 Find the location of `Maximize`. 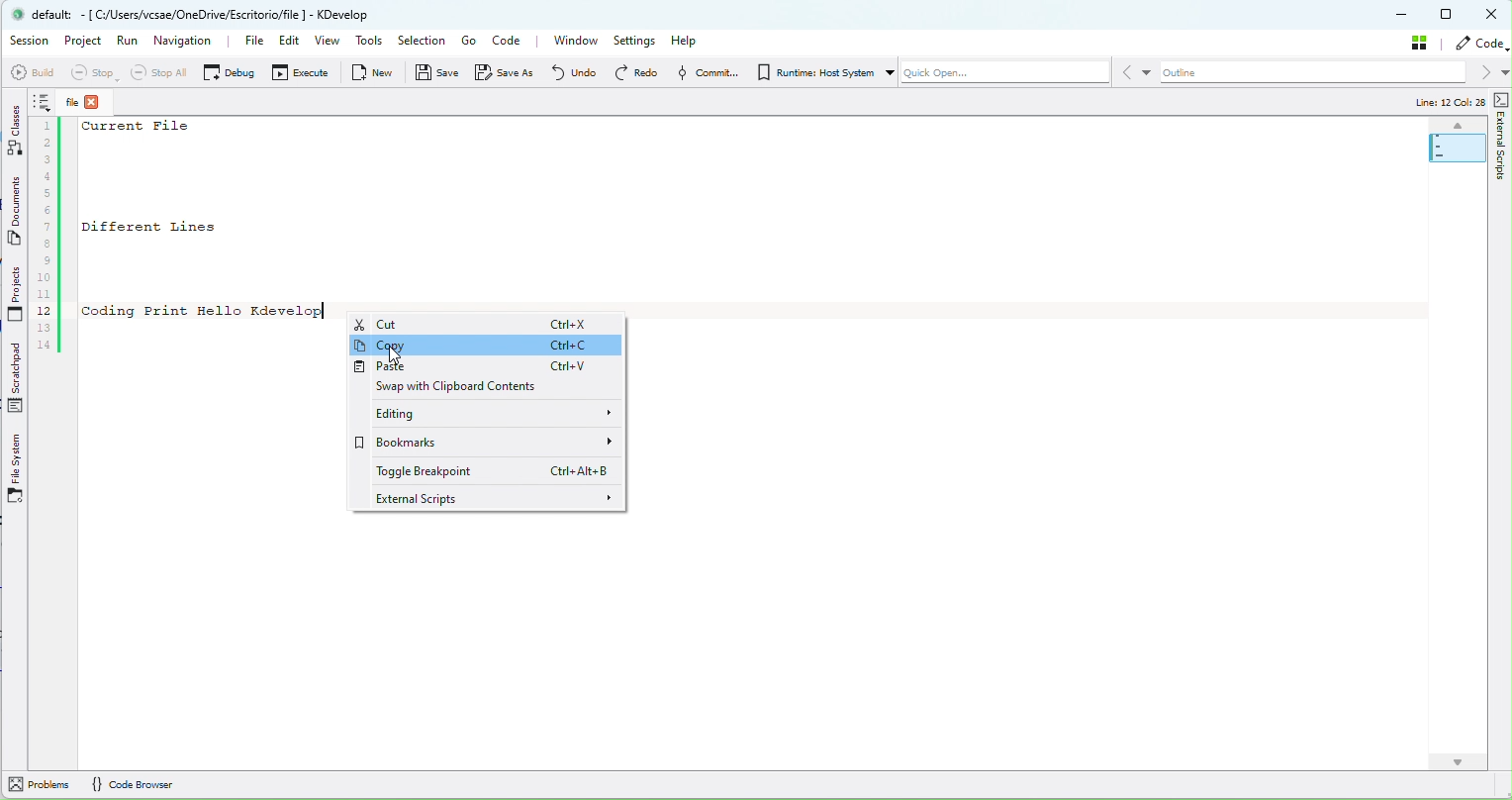

Maximize is located at coordinates (1448, 14).